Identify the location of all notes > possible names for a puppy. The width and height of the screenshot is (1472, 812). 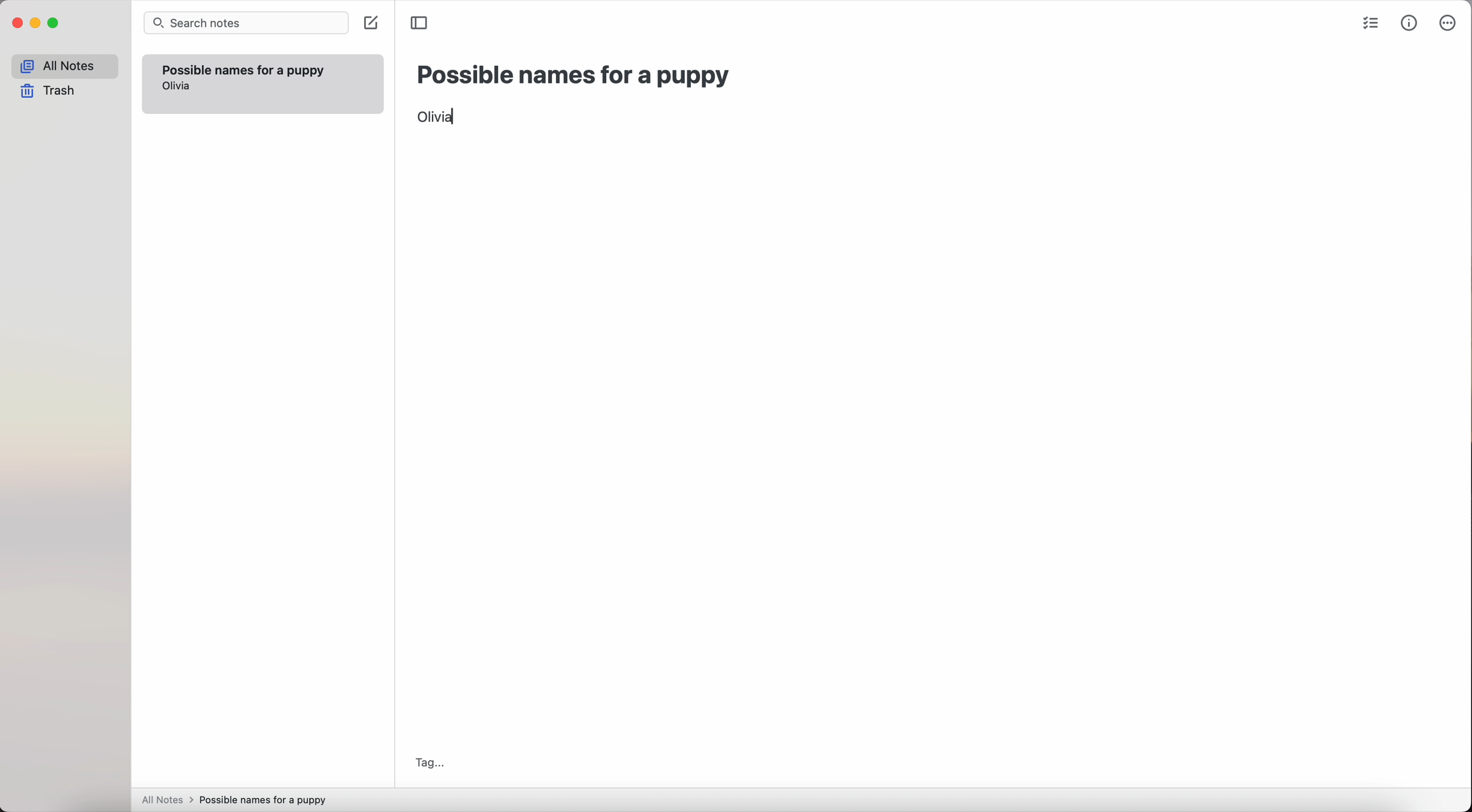
(238, 799).